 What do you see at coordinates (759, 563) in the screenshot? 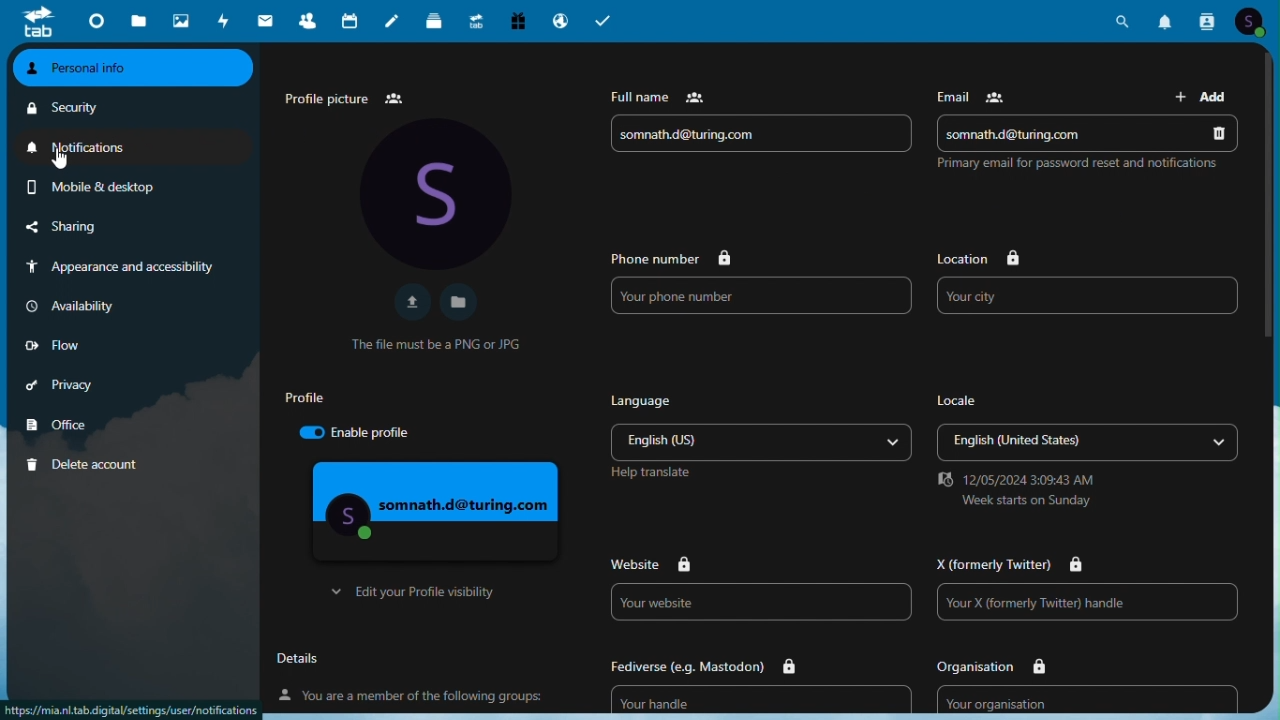
I see `Website` at bounding box center [759, 563].